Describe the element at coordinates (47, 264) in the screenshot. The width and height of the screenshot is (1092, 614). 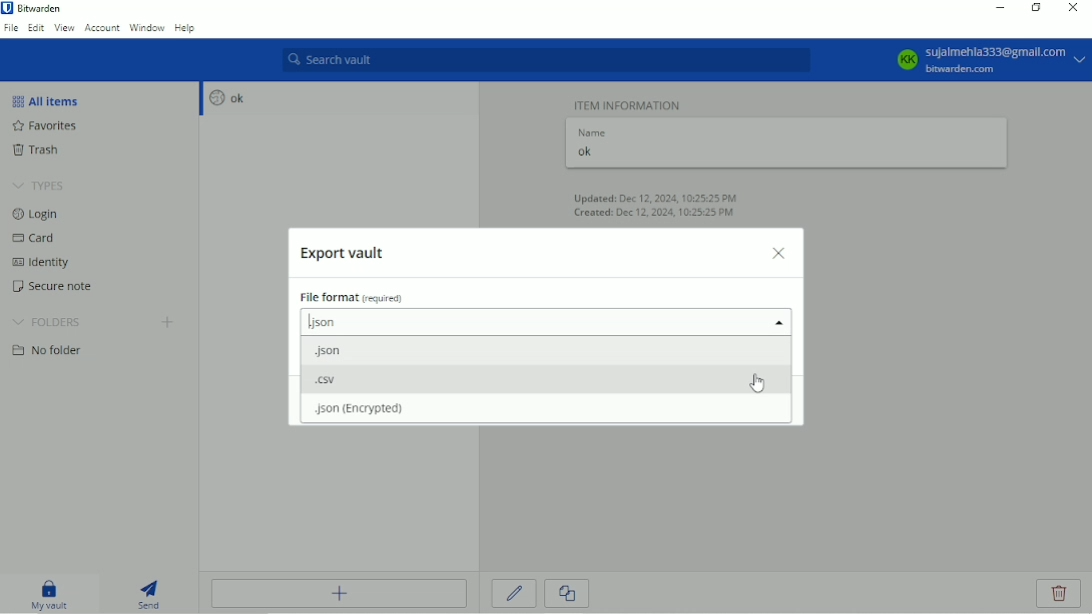
I see `Identity` at that location.